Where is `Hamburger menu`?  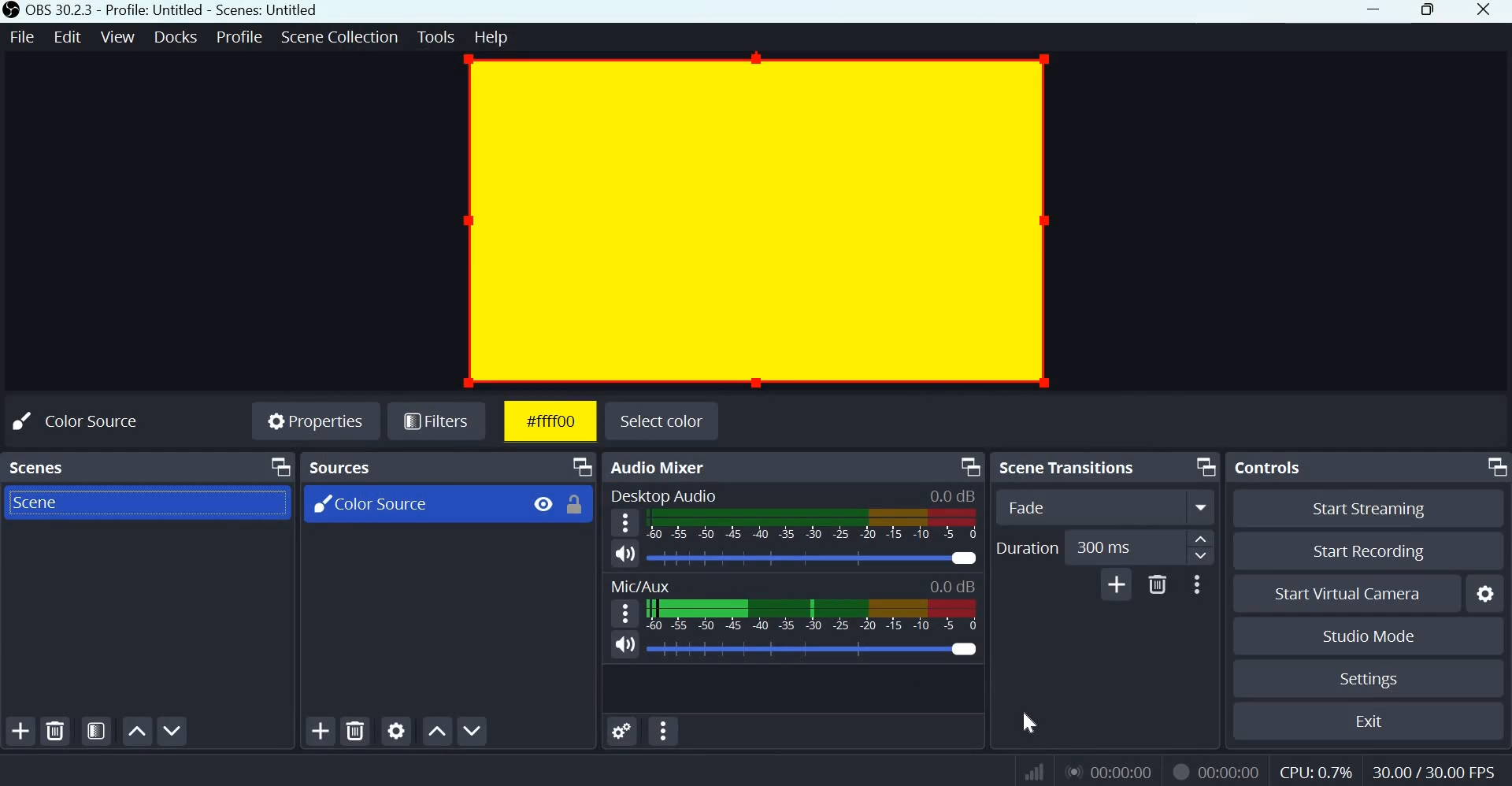 Hamburger menu is located at coordinates (625, 523).